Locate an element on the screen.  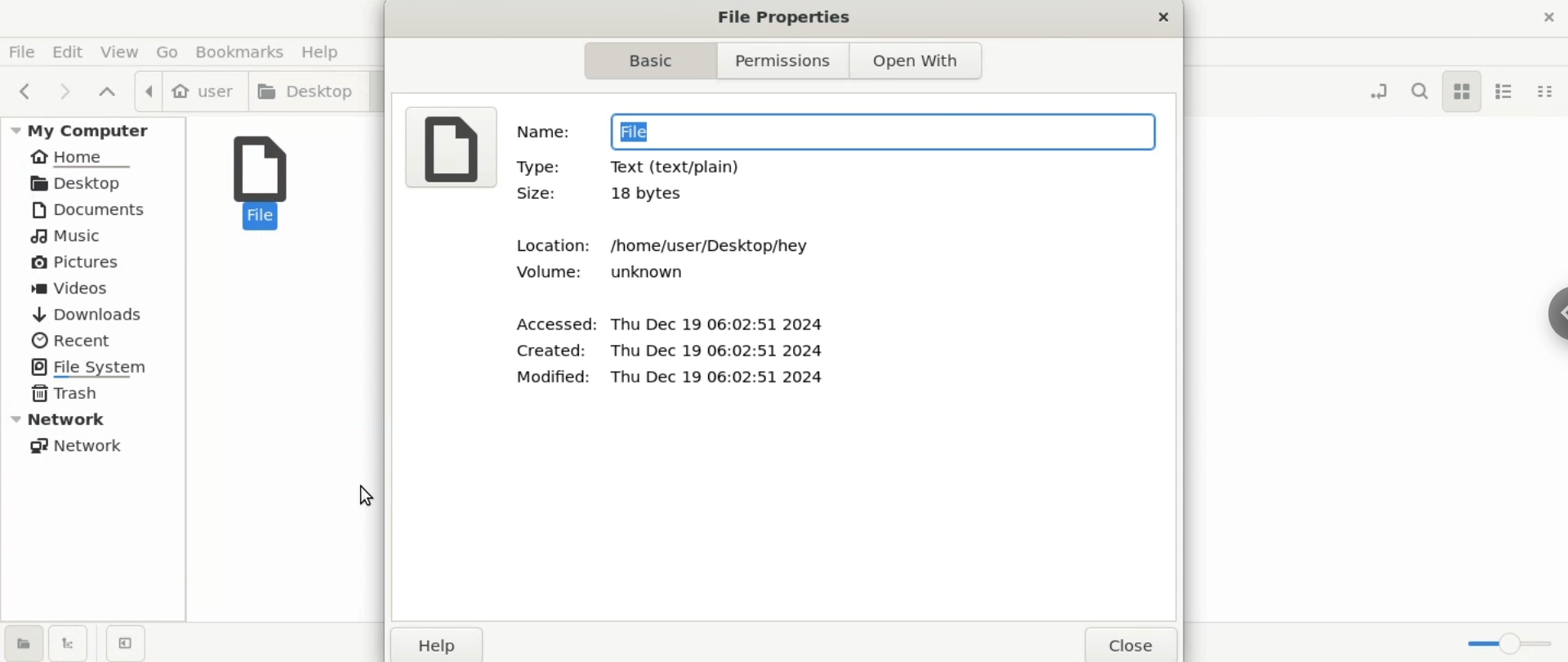
list view is located at coordinates (1508, 92).